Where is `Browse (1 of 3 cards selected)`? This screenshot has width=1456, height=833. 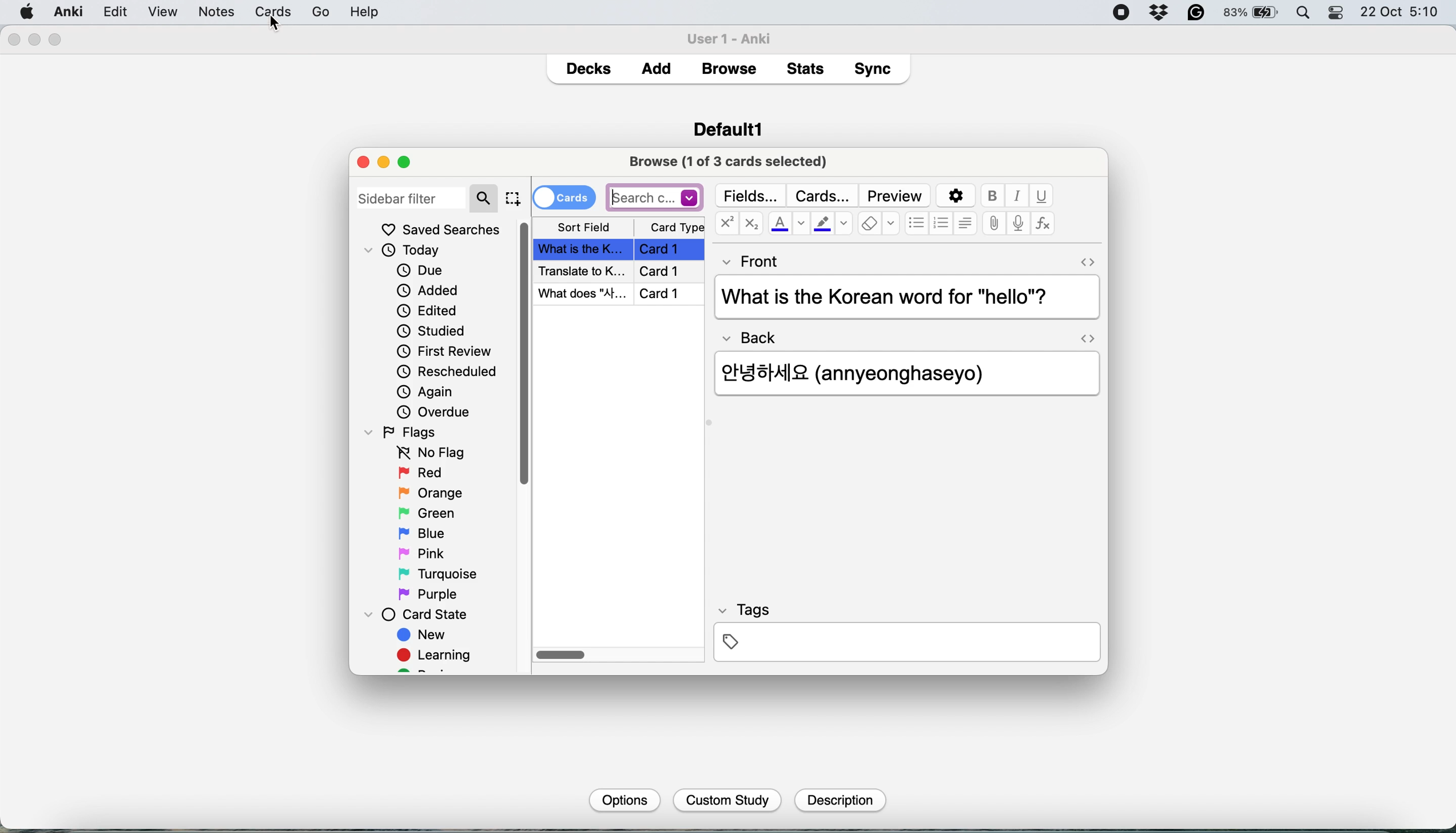 Browse (1 of 3 cards selected) is located at coordinates (732, 160).